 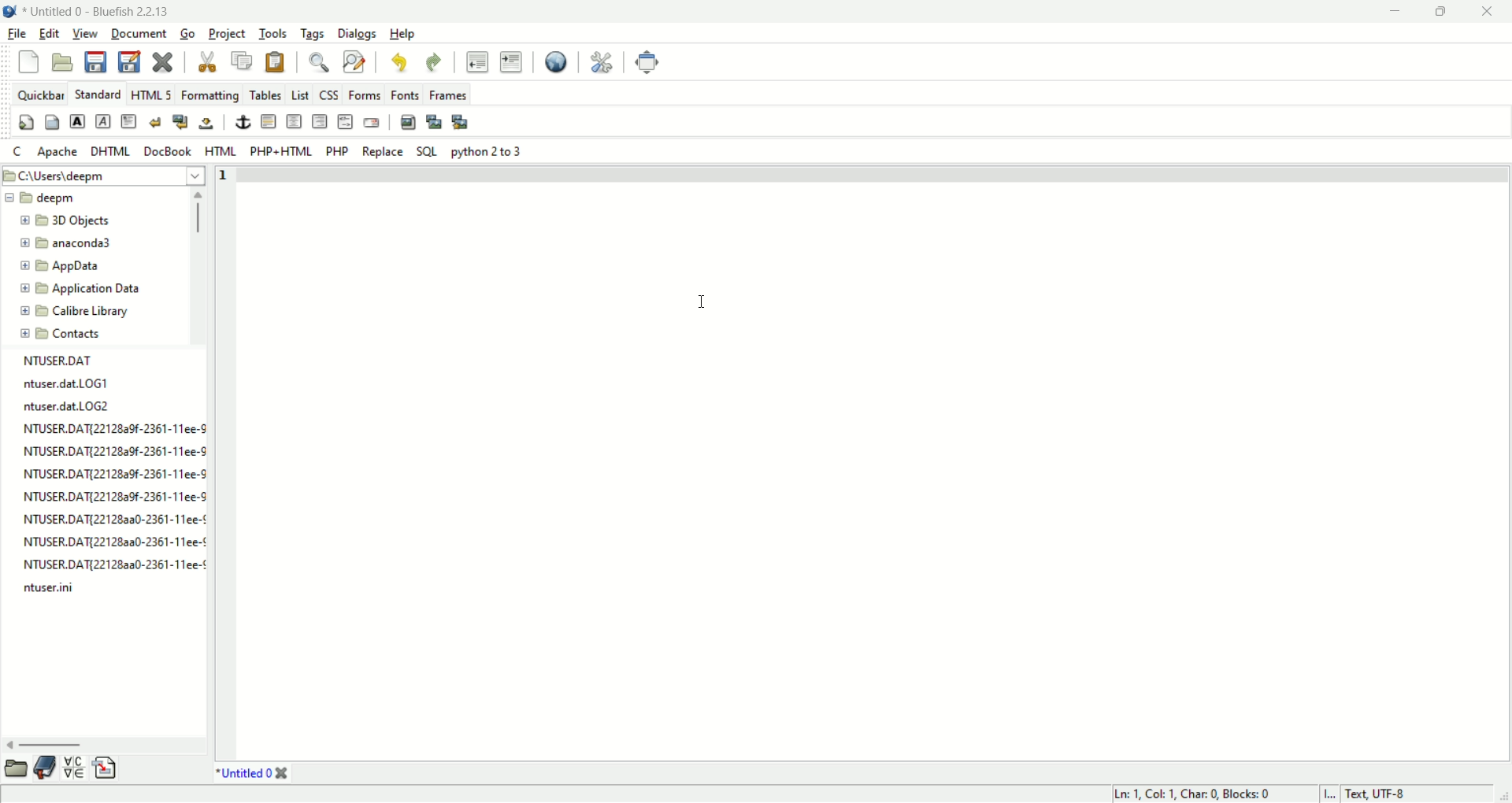 I want to click on NTUSER.DAT, so click(x=61, y=361).